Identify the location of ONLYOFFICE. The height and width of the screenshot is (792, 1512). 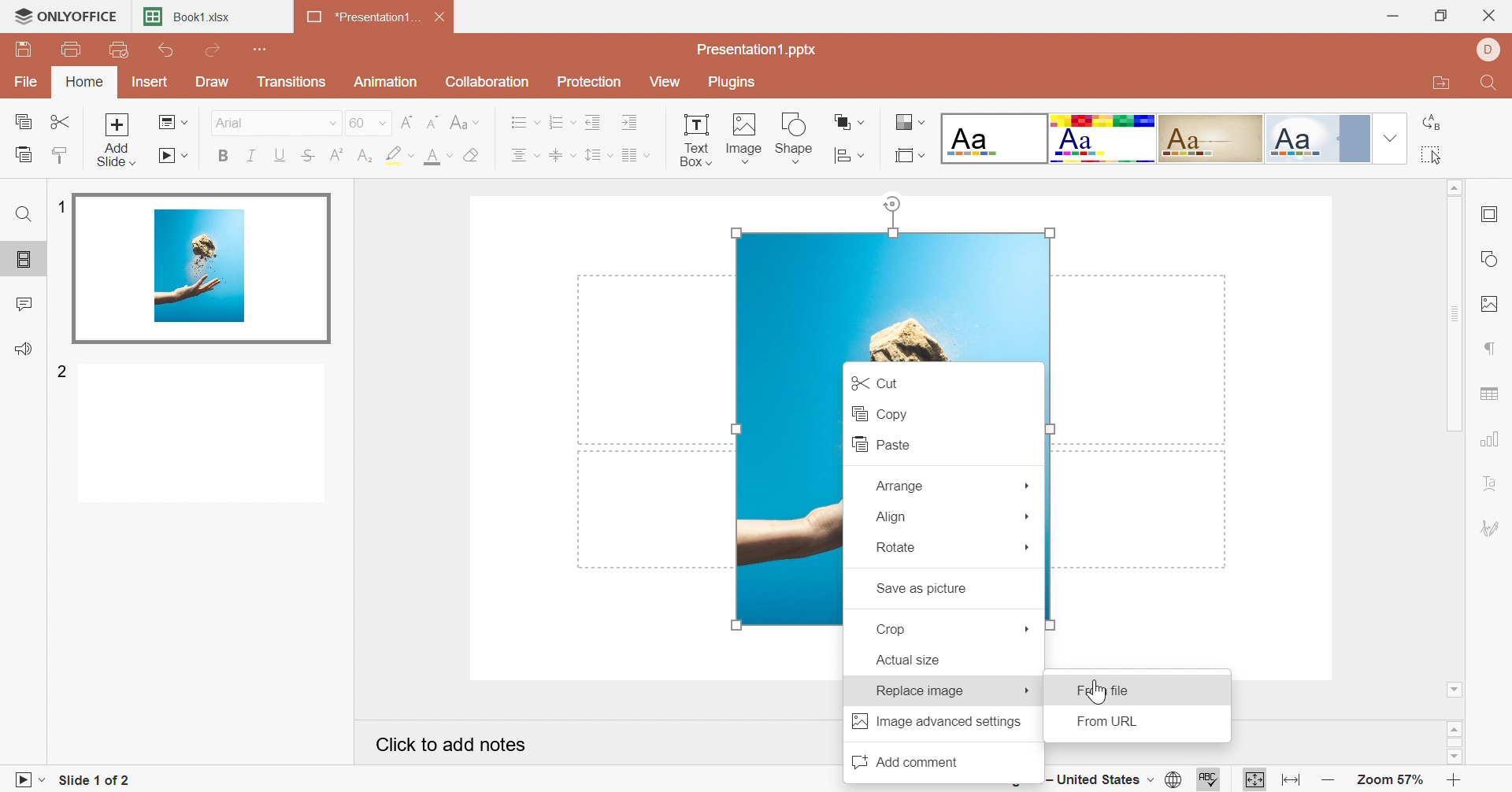
(66, 17).